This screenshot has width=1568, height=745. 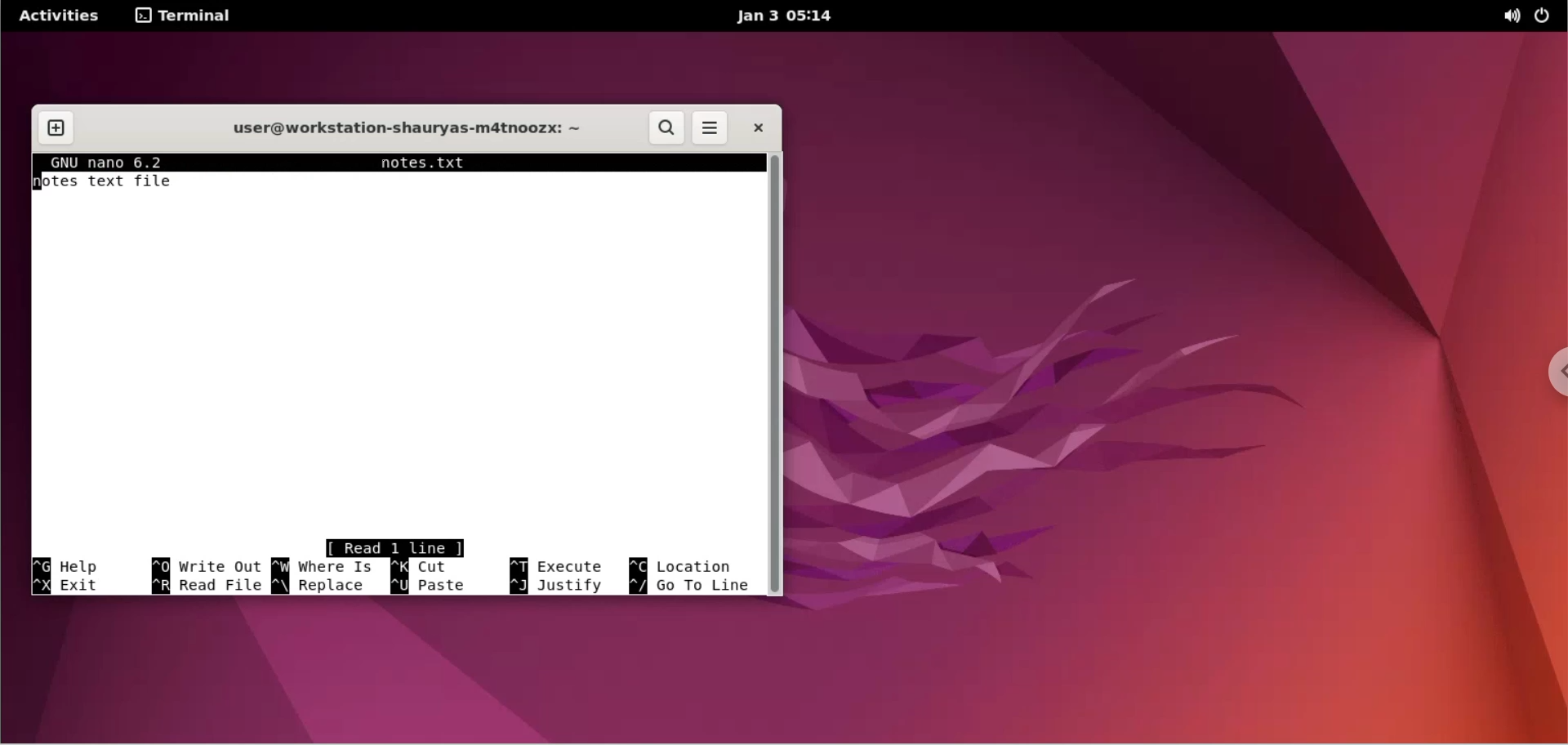 What do you see at coordinates (690, 564) in the screenshot?
I see `^C location` at bounding box center [690, 564].